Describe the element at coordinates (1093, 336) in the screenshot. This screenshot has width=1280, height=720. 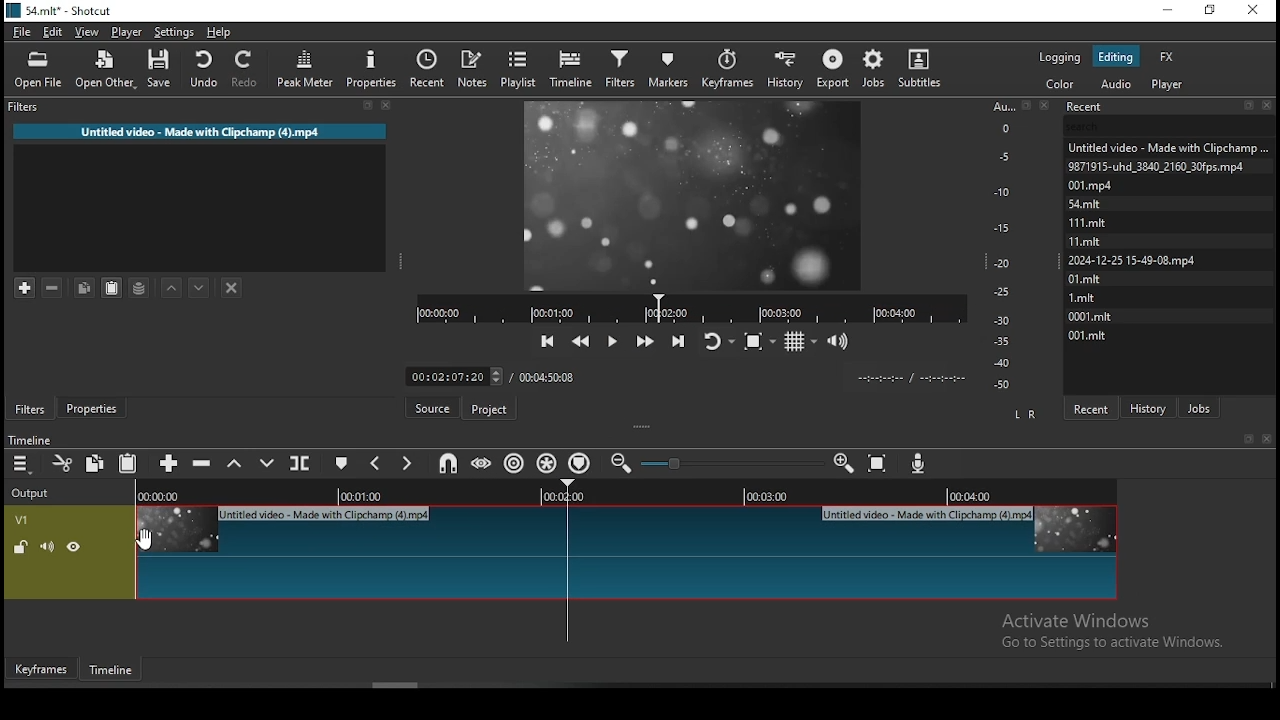
I see `files` at that location.